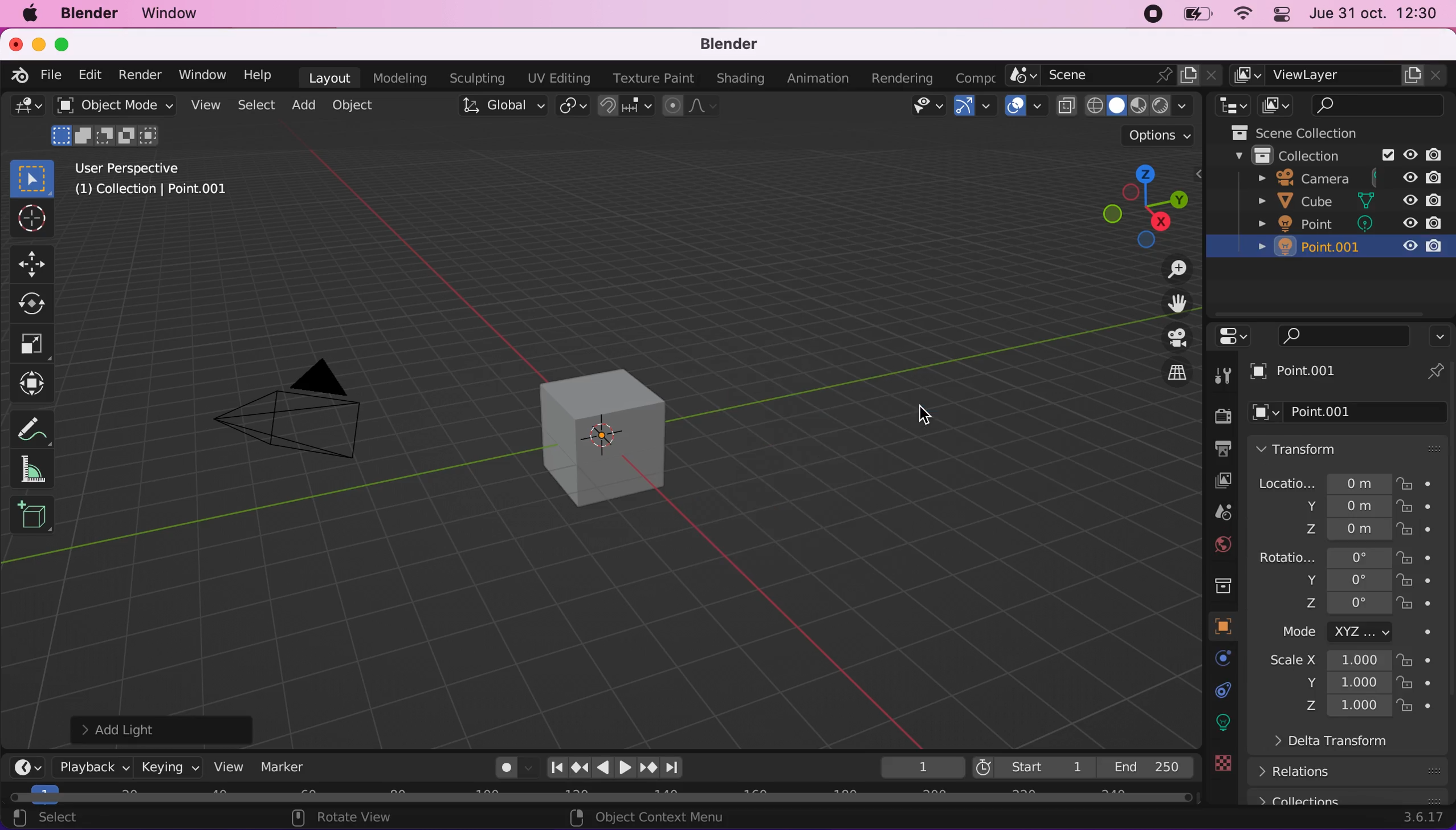  What do you see at coordinates (182, 15) in the screenshot?
I see `window` at bounding box center [182, 15].